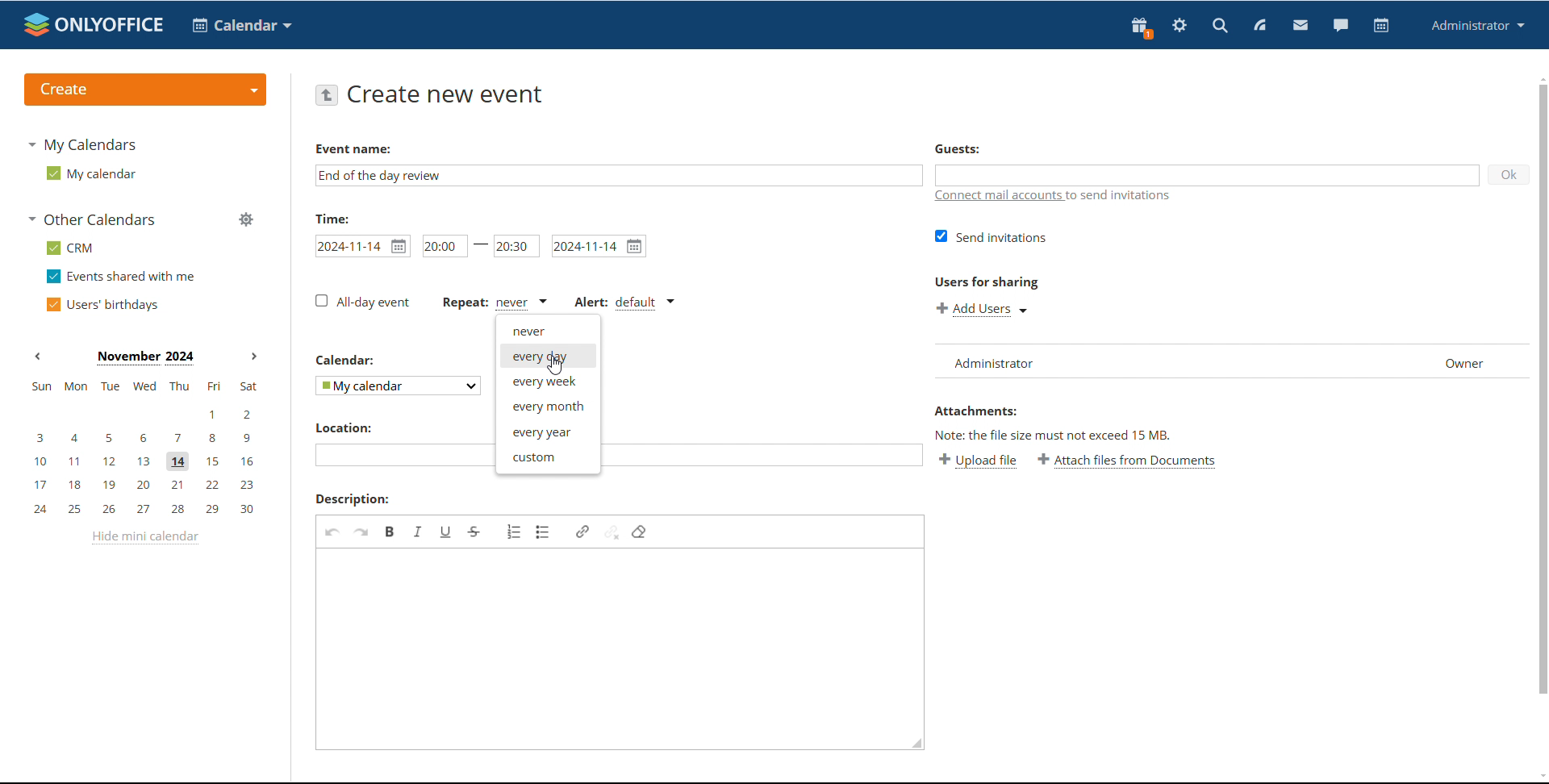  I want to click on list of users, so click(1175, 361).